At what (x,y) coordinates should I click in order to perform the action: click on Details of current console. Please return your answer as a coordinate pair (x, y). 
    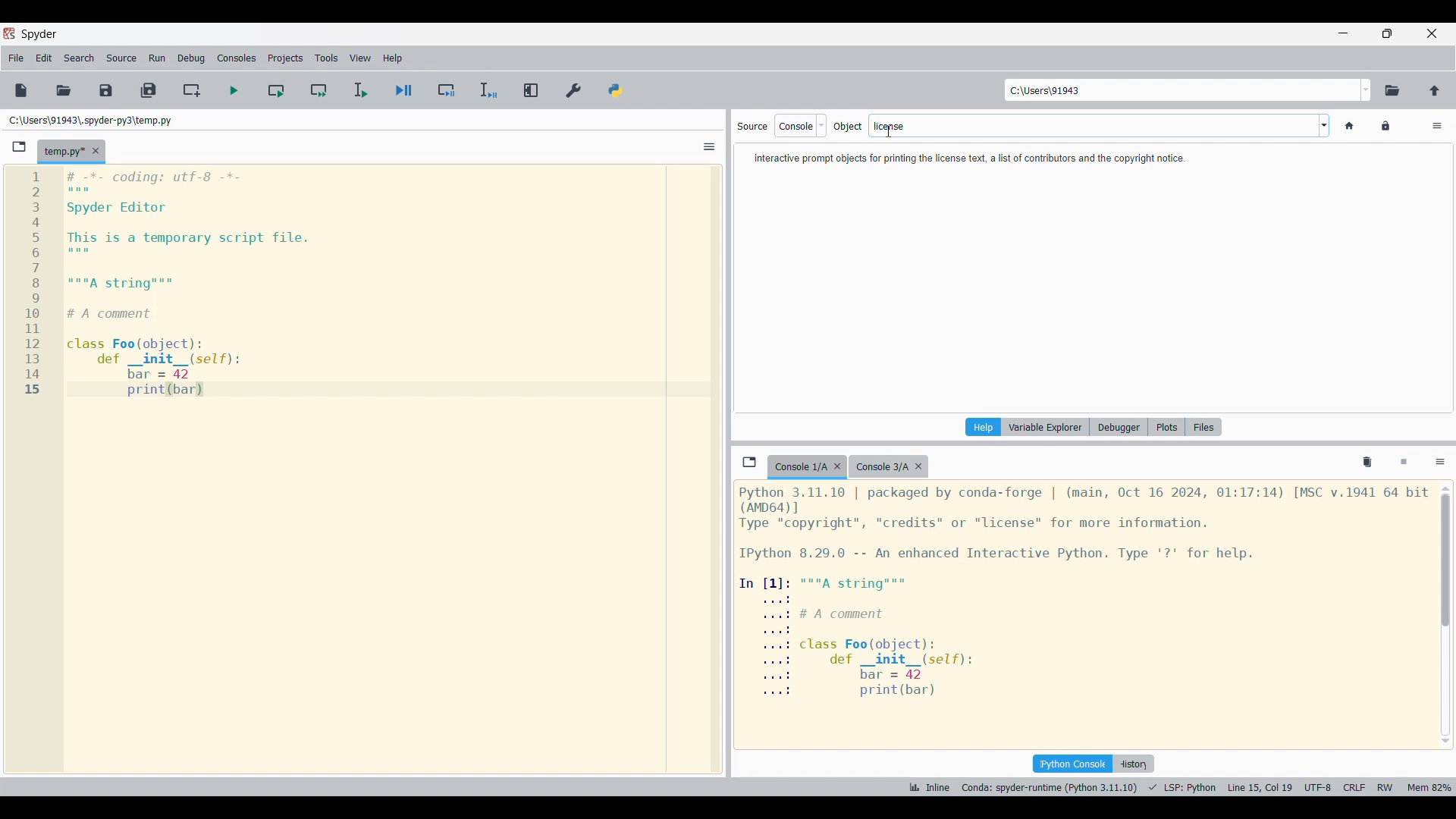
    Looking at the image, I should click on (1084, 591).